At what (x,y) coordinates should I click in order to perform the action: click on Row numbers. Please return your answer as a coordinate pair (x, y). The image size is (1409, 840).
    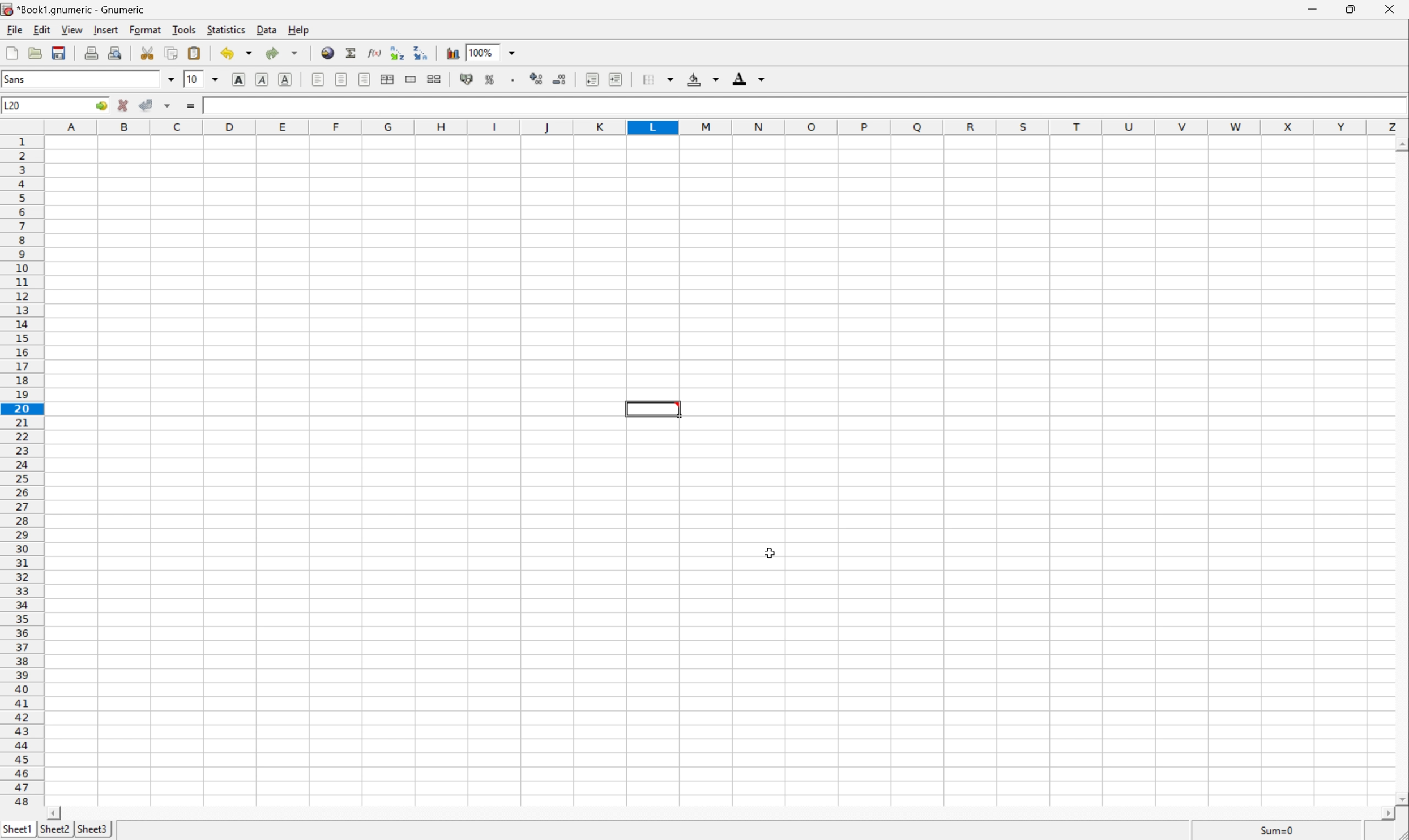
    Looking at the image, I should click on (21, 471).